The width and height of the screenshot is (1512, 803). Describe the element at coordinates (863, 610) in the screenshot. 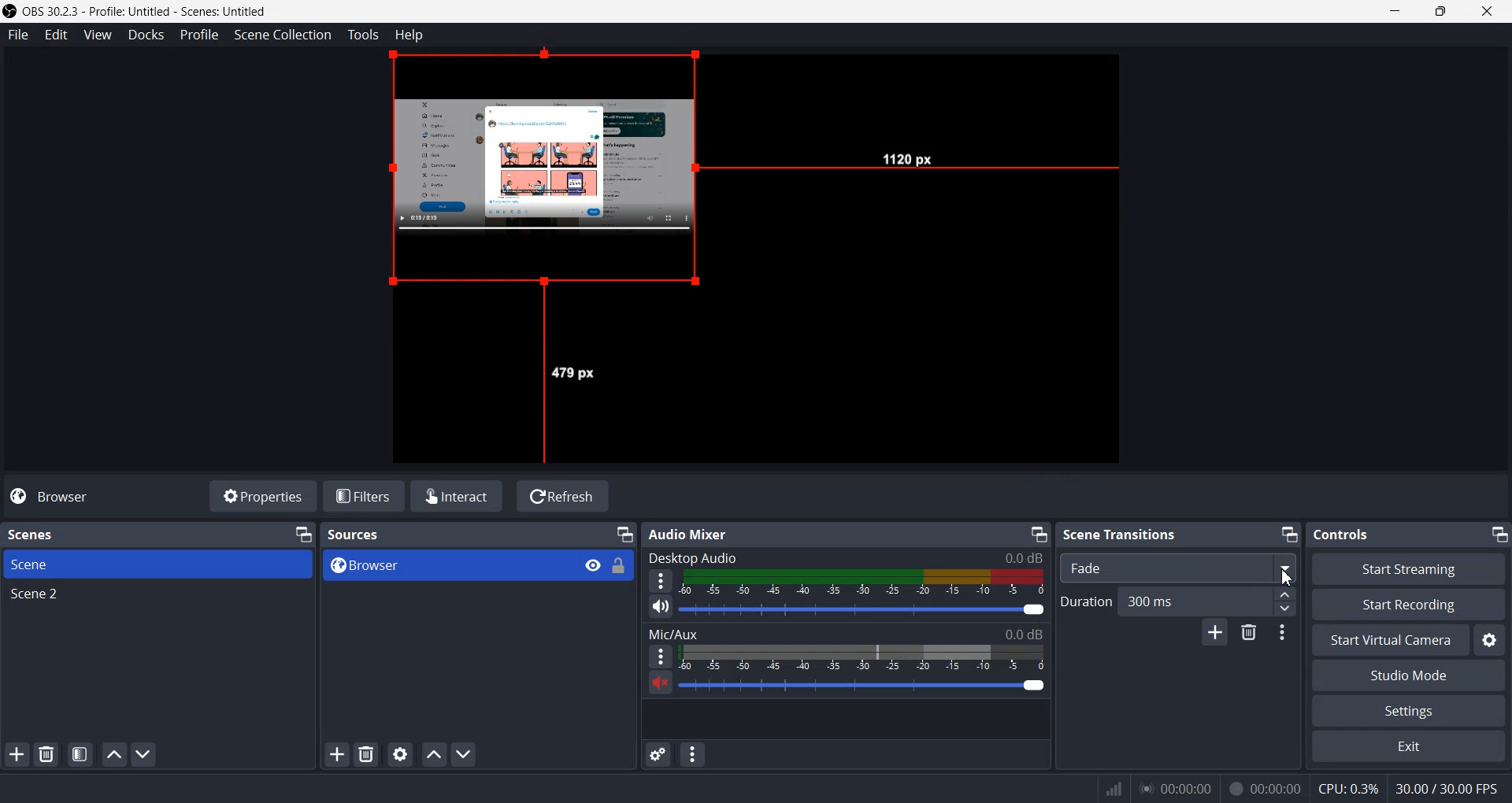

I see `volume adjuster` at that location.